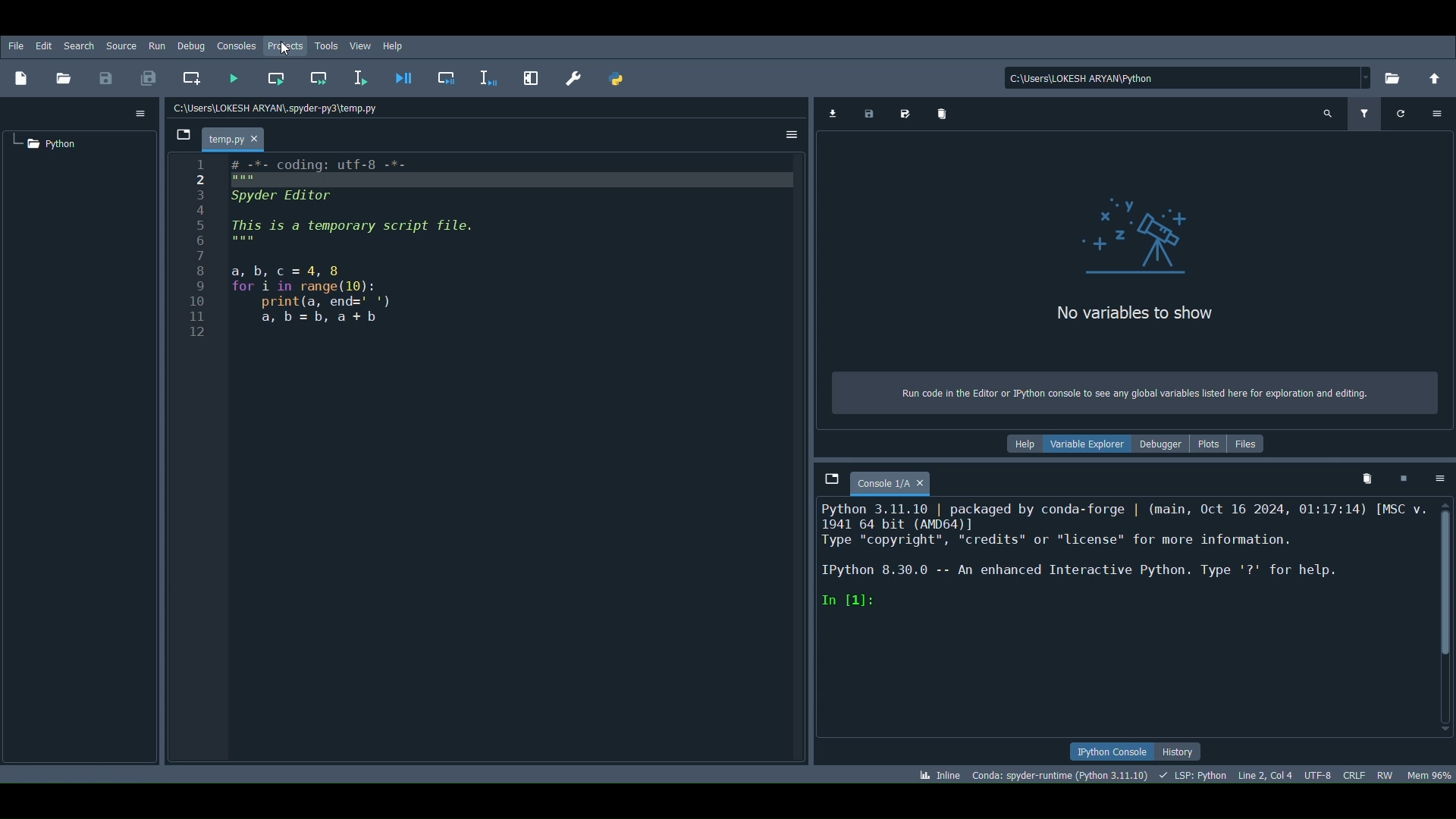 This screenshot has height=819, width=1456. I want to click on Preferences, so click(576, 80).